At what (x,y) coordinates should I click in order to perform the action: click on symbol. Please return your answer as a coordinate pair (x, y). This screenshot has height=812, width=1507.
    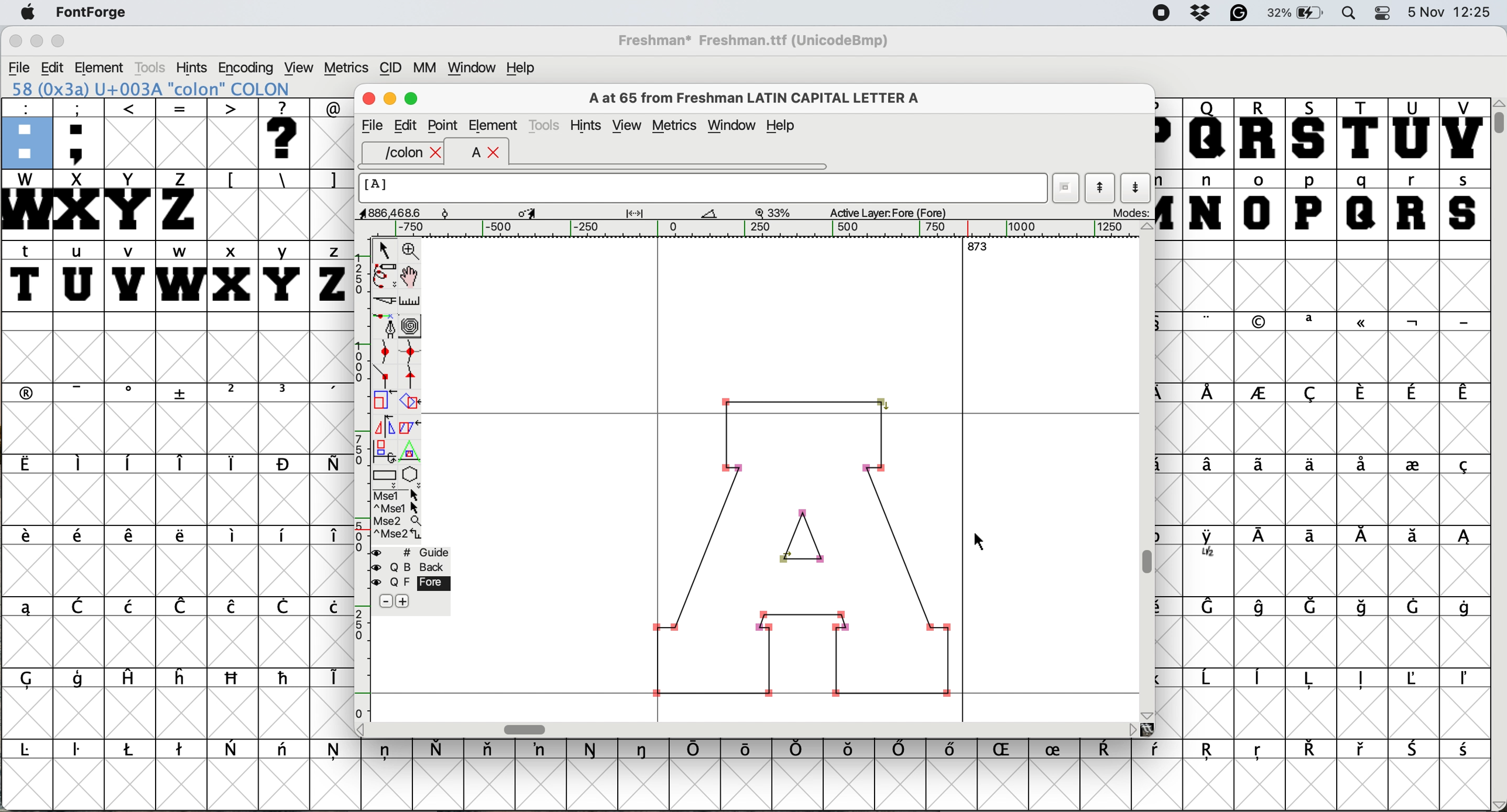
    Looking at the image, I should click on (81, 465).